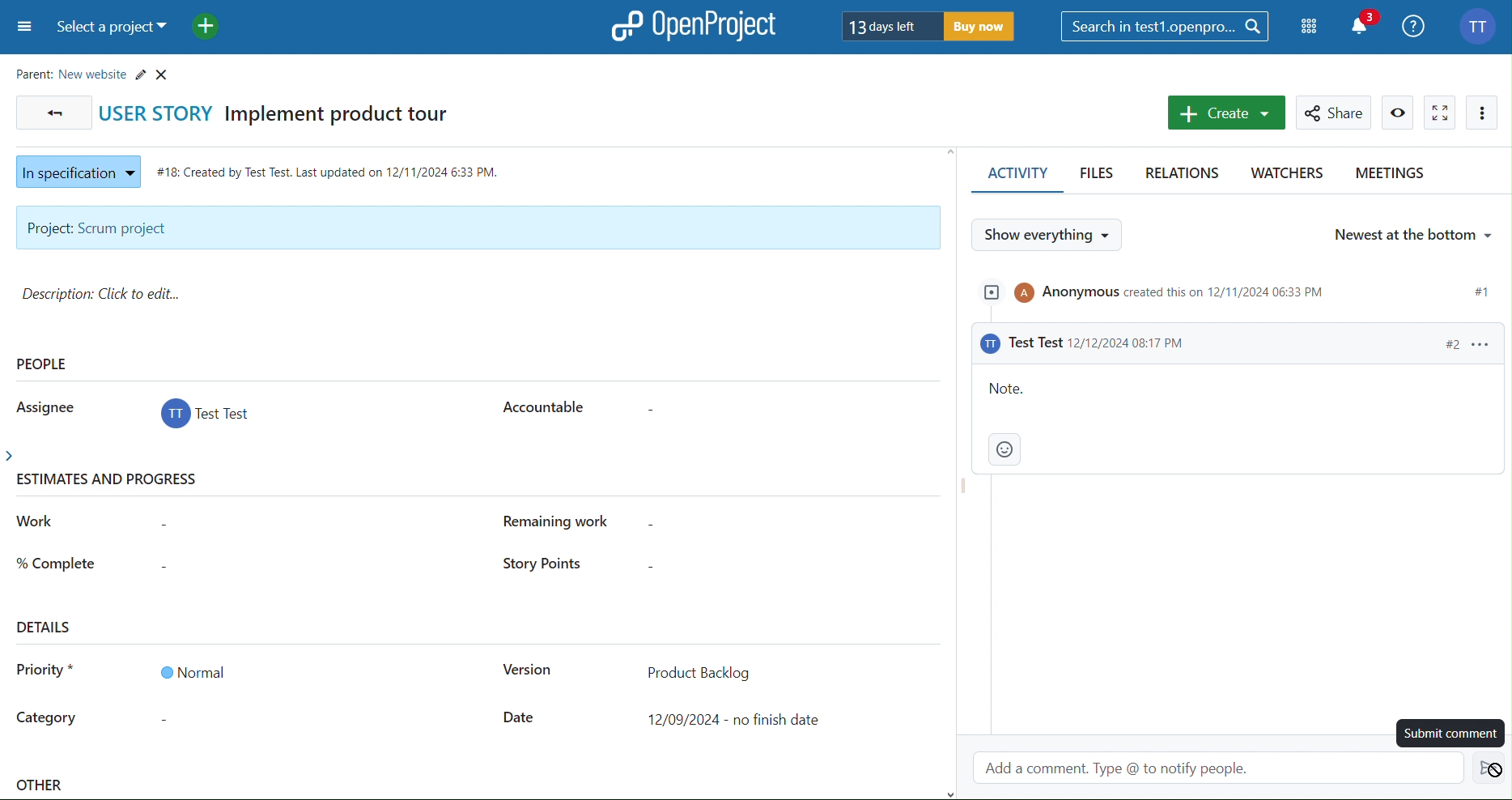 The width and height of the screenshot is (1512, 800). I want to click on Add a comment, so click(1223, 766).